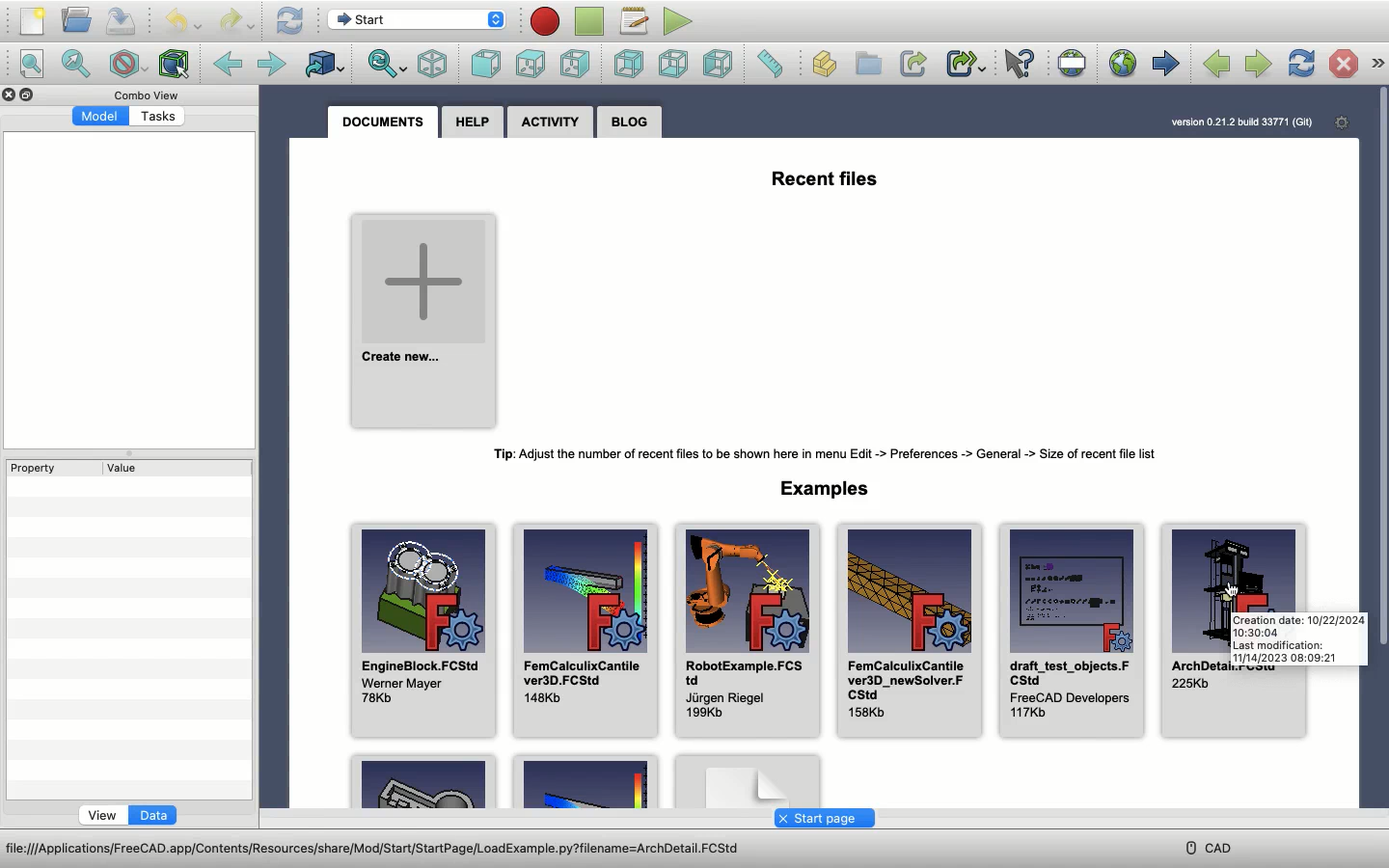  What do you see at coordinates (547, 121) in the screenshot?
I see `Activity` at bounding box center [547, 121].